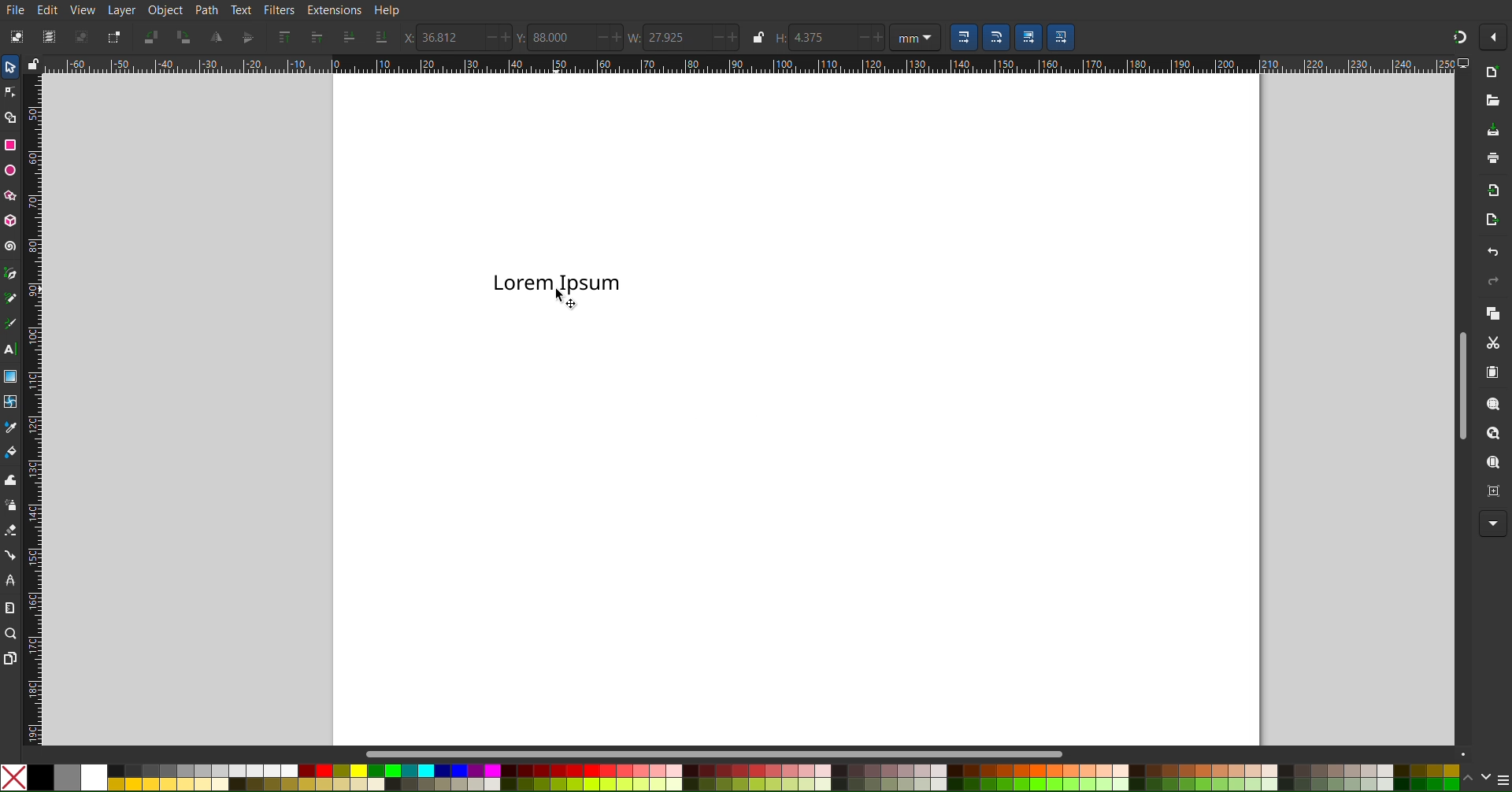 This screenshot has height=792, width=1512. What do you see at coordinates (1028, 37) in the screenshot?
I see `Scaling Objects settings` at bounding box center [1028, 37].